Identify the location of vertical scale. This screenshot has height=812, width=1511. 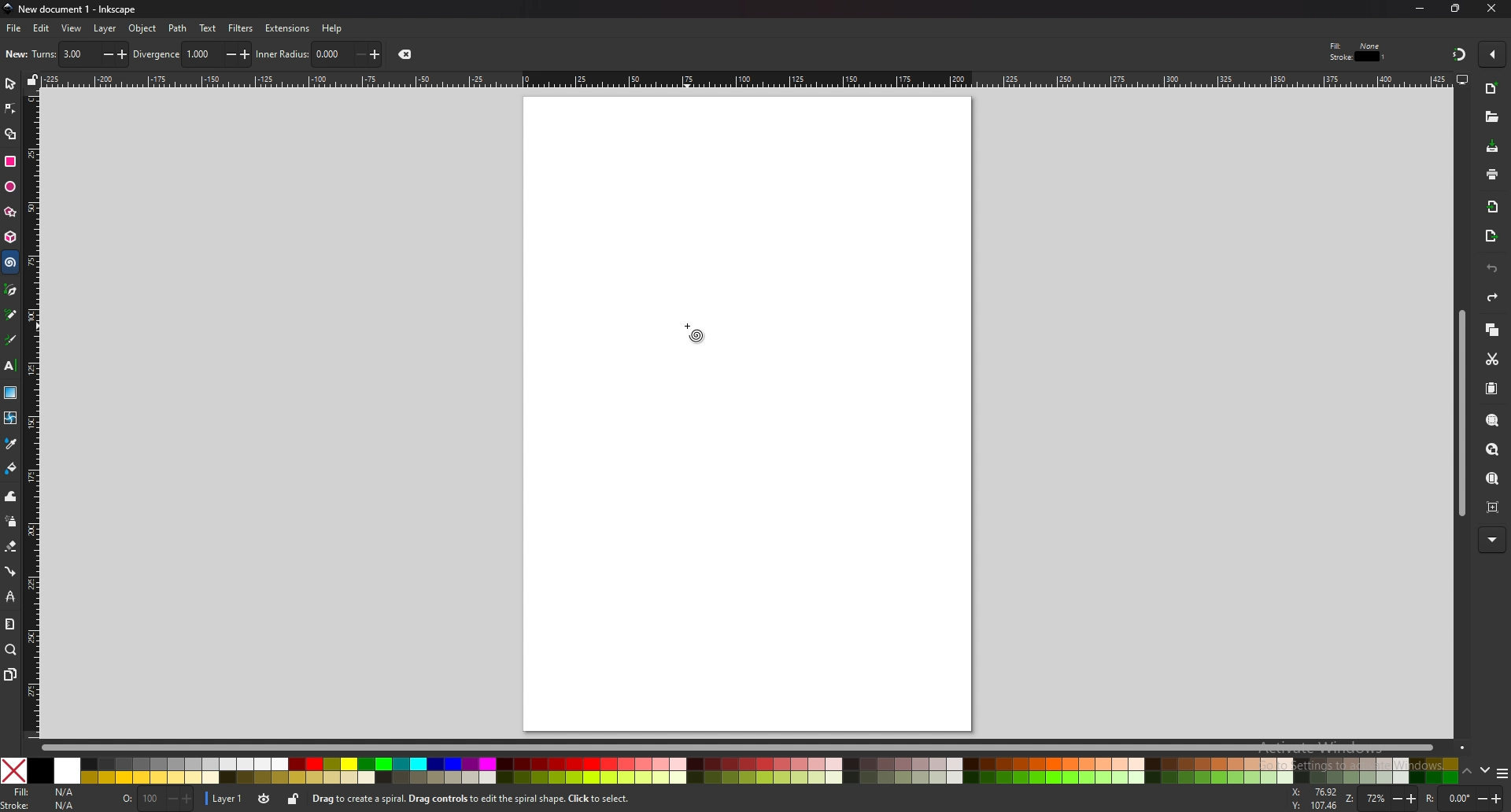
(31, 414).